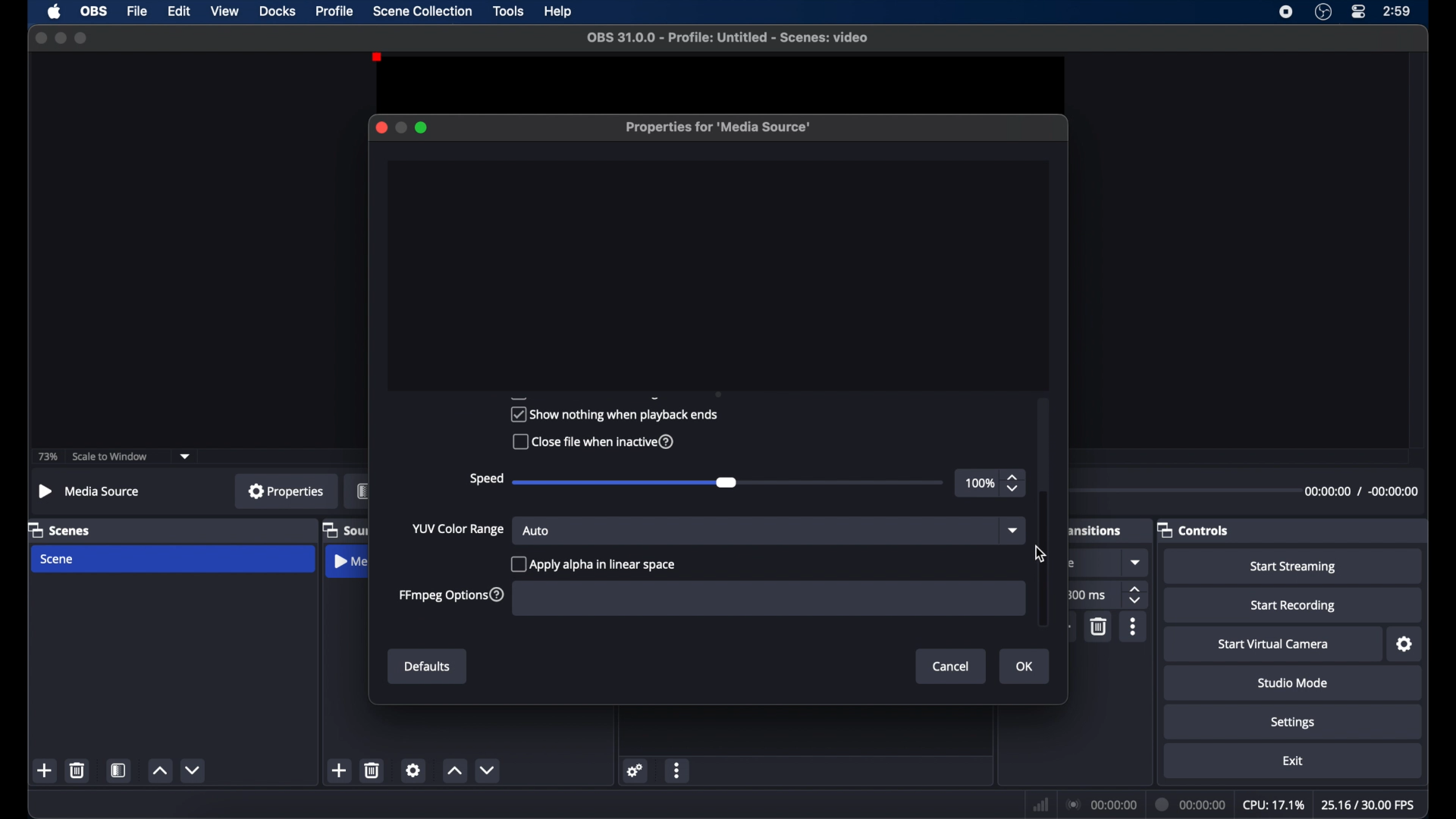 The image size is (1456, 819). What do you see at coordinates (509, 11) in the screenshot?
I see `tools` at bounding box center [509, 11].